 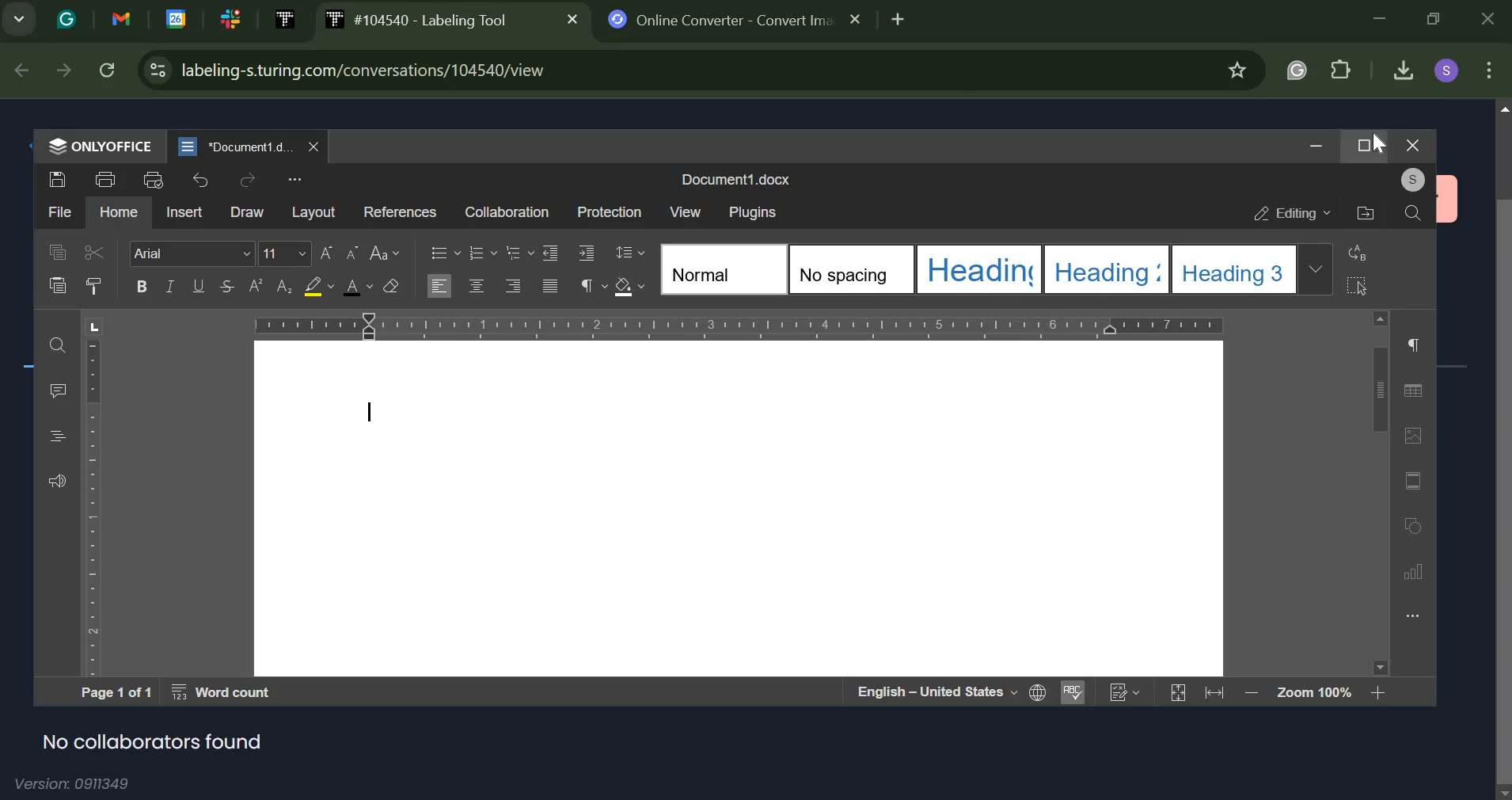 What do you see at coordinates (682, 210) in the screenshot?
I see `view` at bounding box center [682, 210].